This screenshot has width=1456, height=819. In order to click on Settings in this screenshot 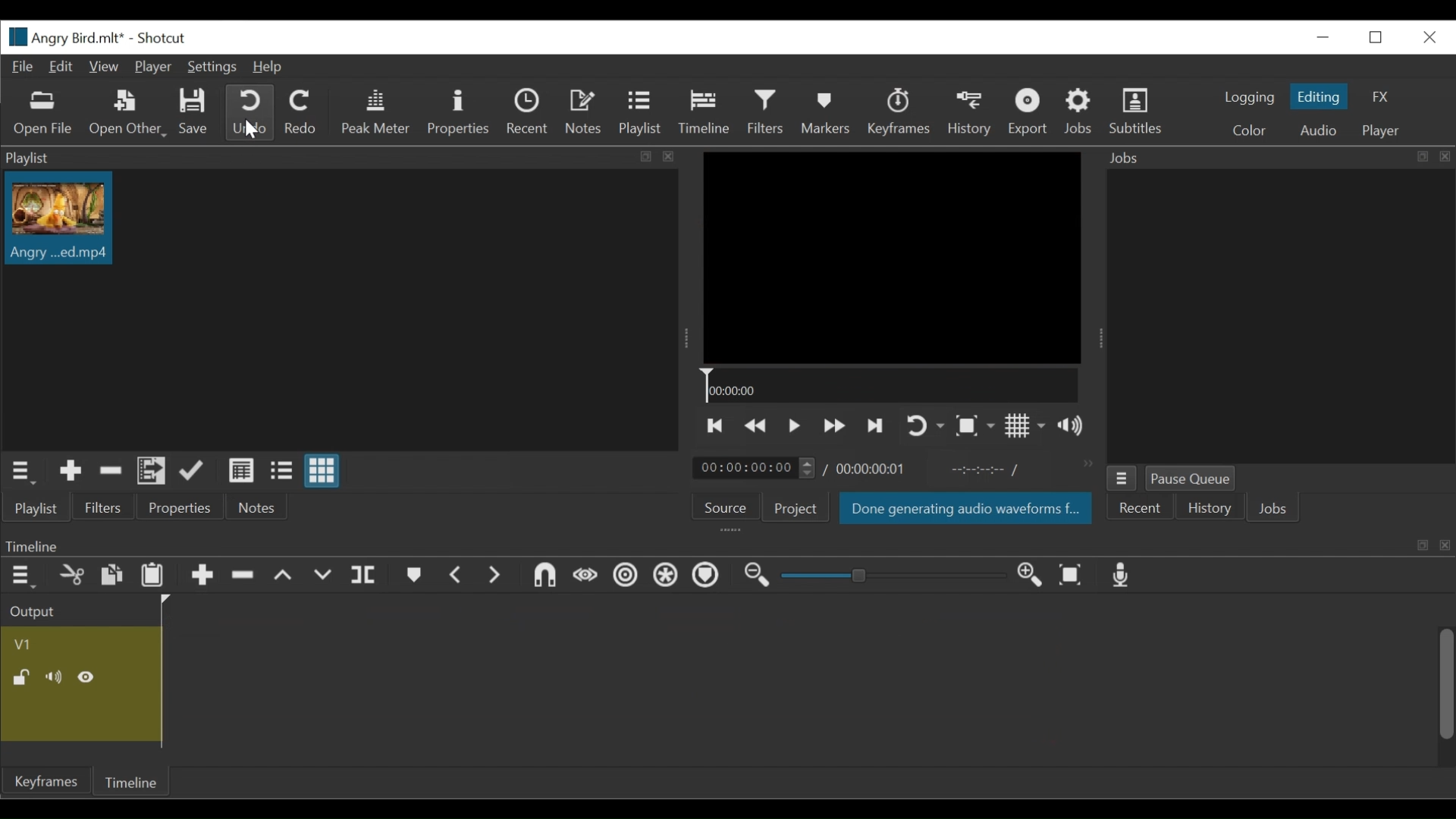, I will do `click(212, 66)`.